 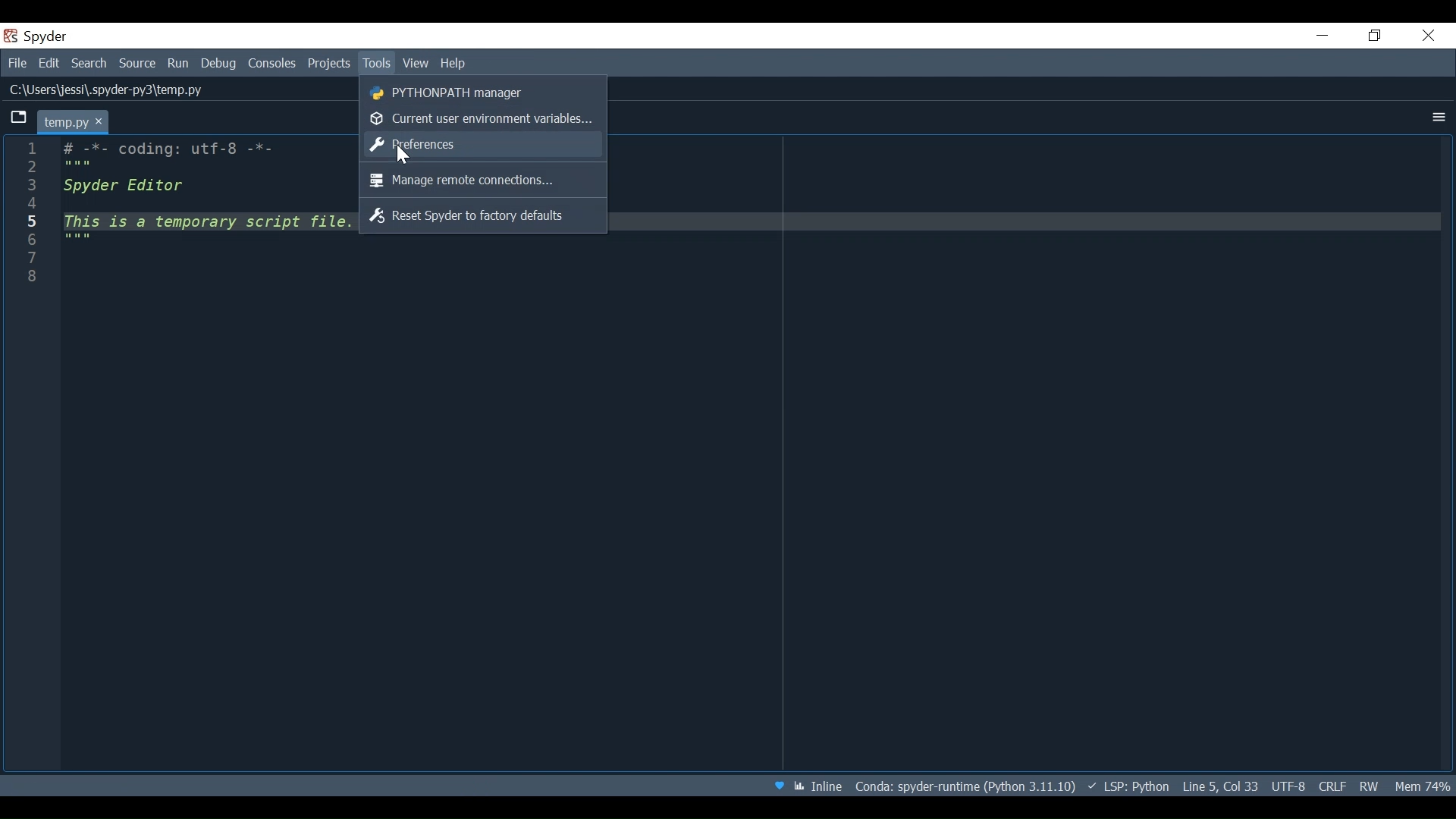 What do you see at coordinates (74, 120) in the screenshot?
I see `Current tab` at bounding box center [74, 120].